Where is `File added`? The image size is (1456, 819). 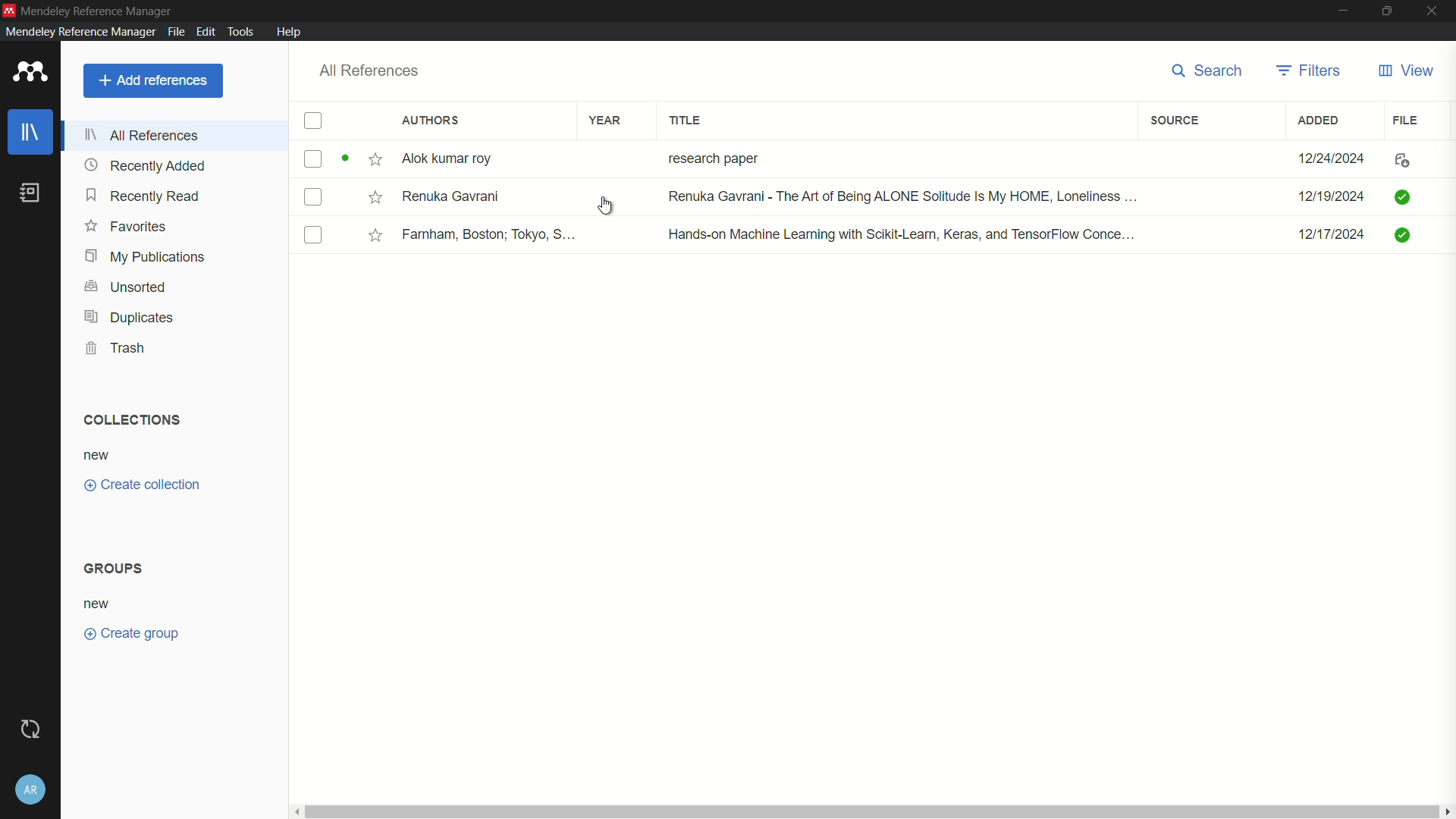 File added is located at coordinates (1405, 196).